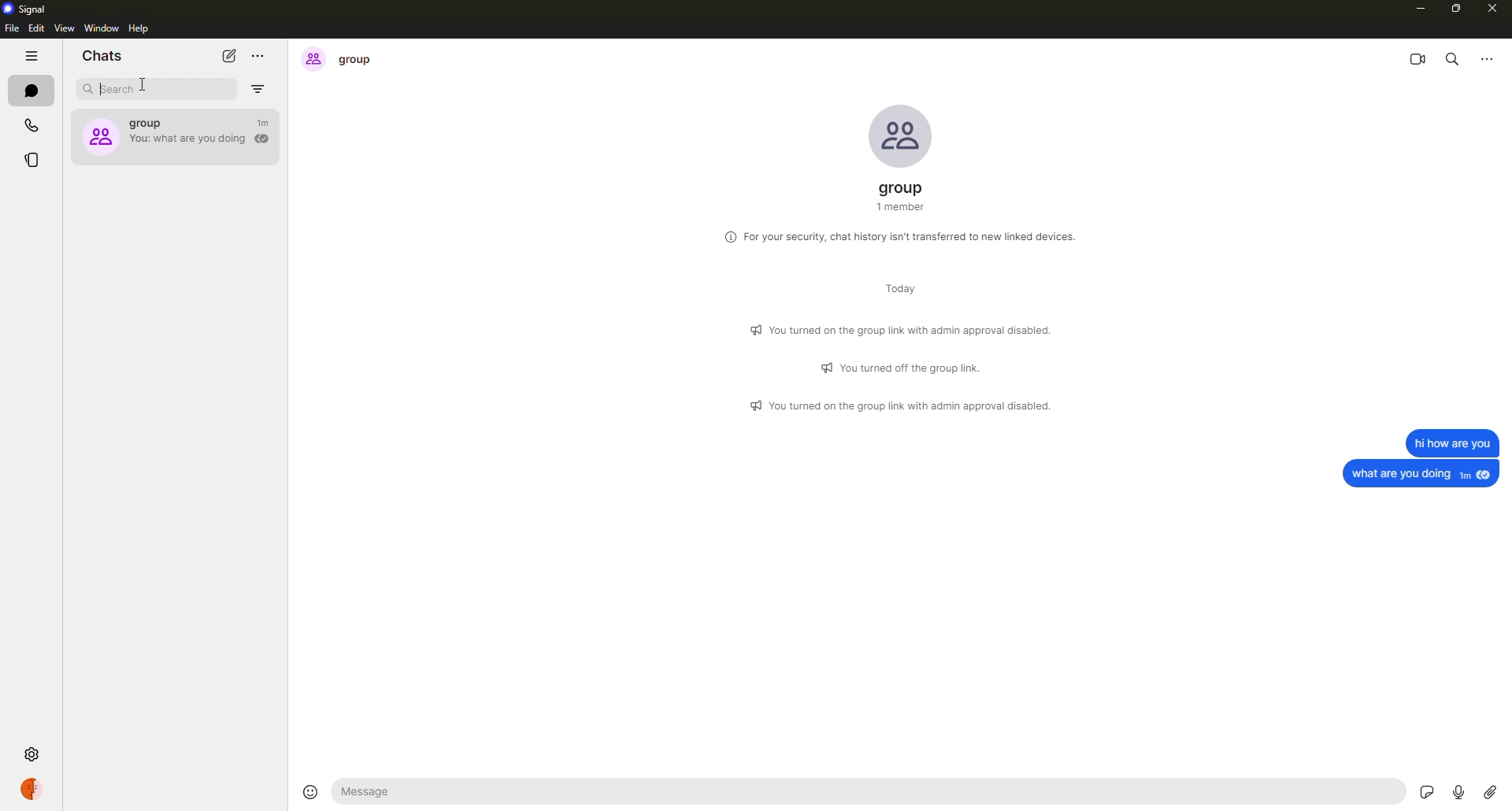  Describe the element at coordinates (1451, 442) in the screenshot. I see `message` at that location.